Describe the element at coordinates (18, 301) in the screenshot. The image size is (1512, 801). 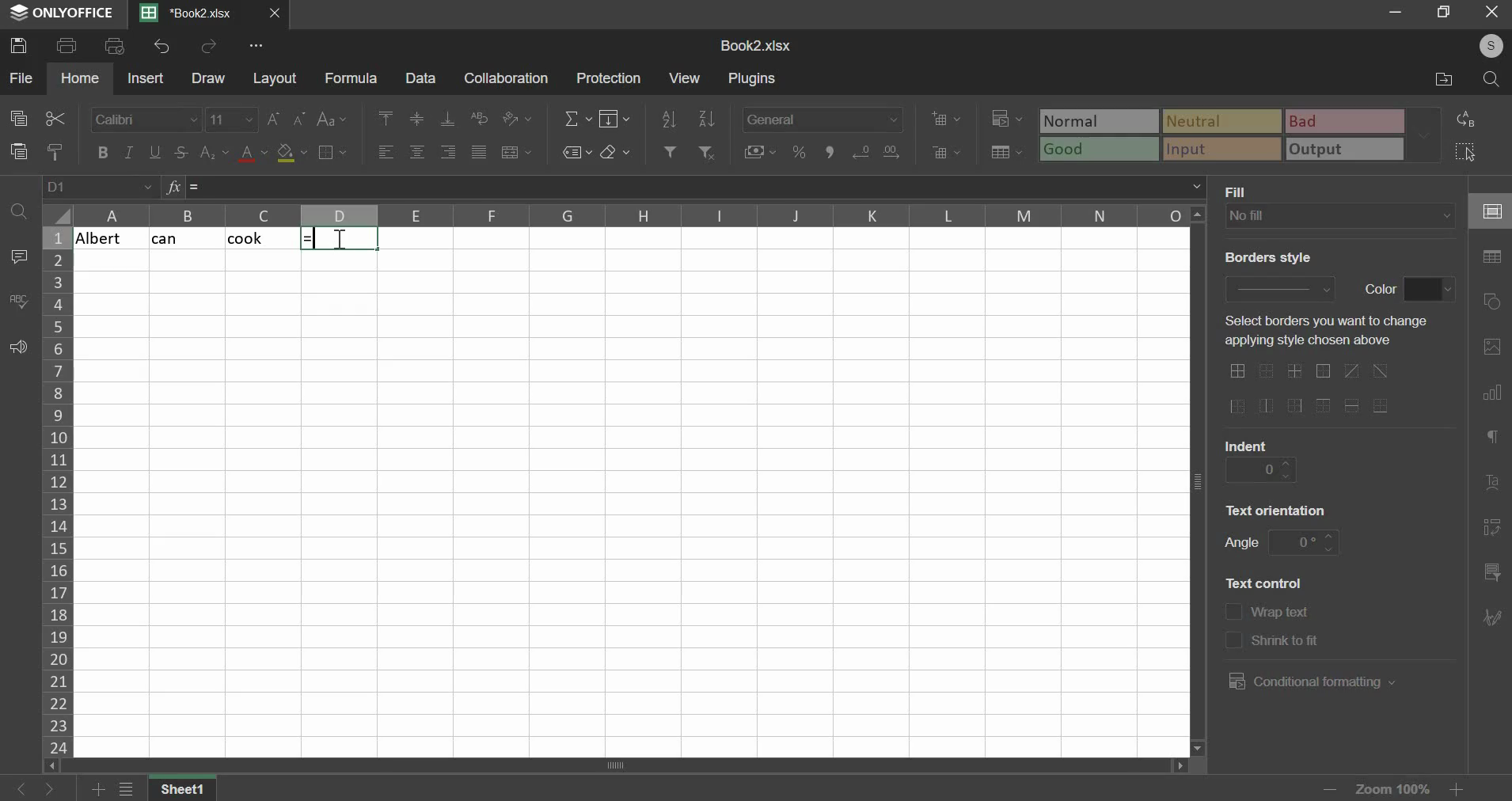
I see `spelling` at that location.